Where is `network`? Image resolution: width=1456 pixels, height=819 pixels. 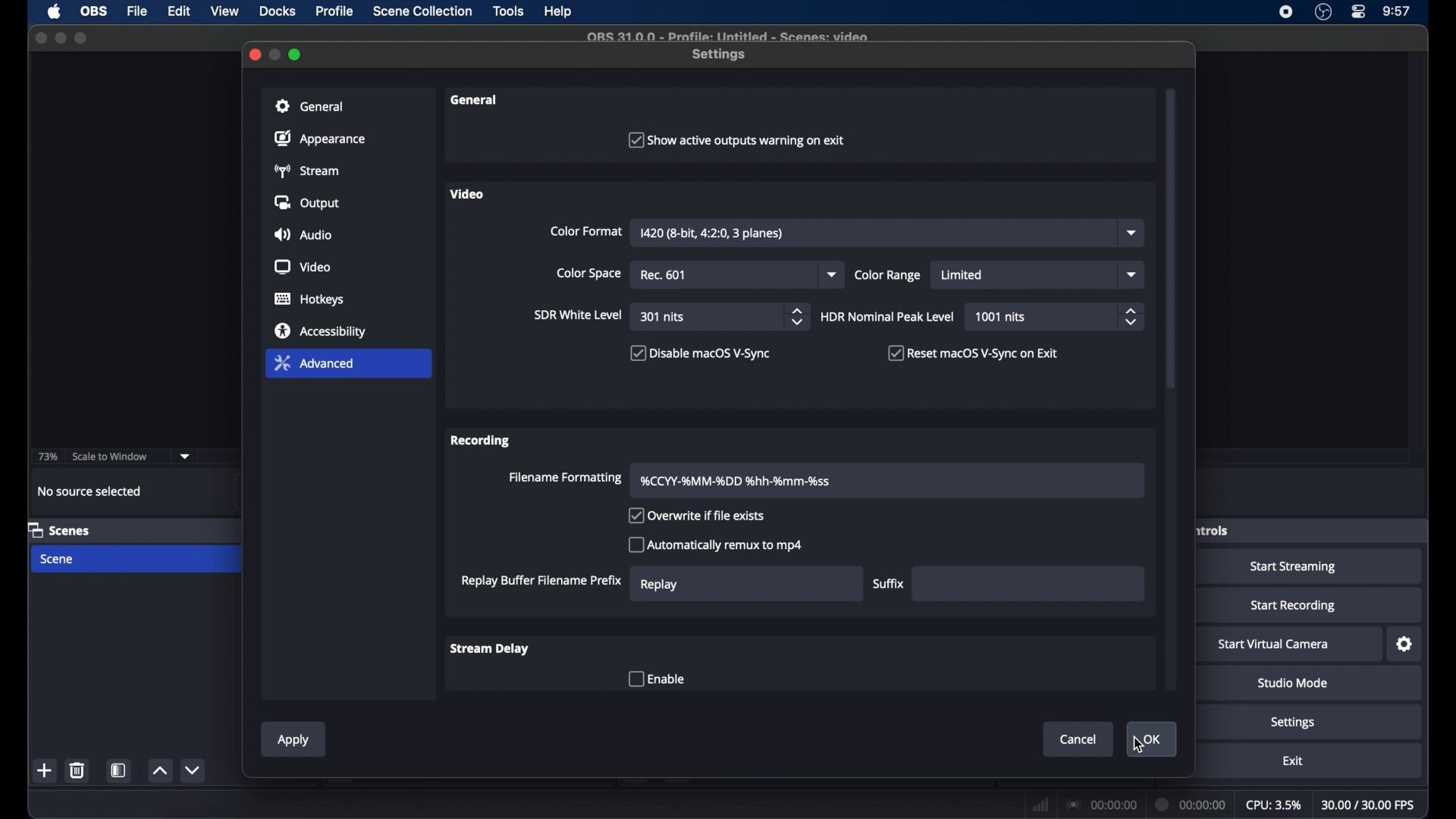 network is located at coordinates (1041, 804).